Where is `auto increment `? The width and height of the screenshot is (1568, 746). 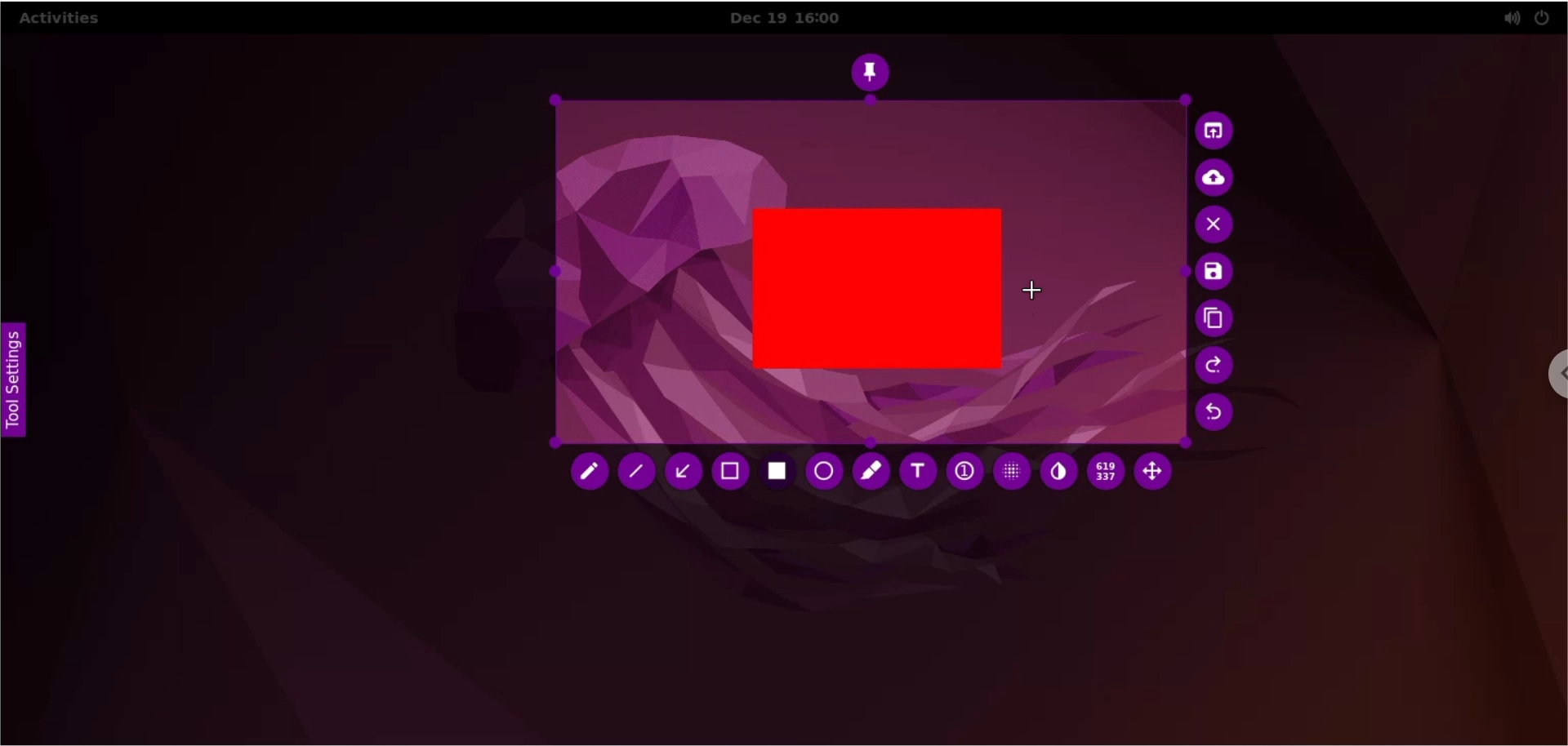 auto increment  is located at coordinates (961, 475).